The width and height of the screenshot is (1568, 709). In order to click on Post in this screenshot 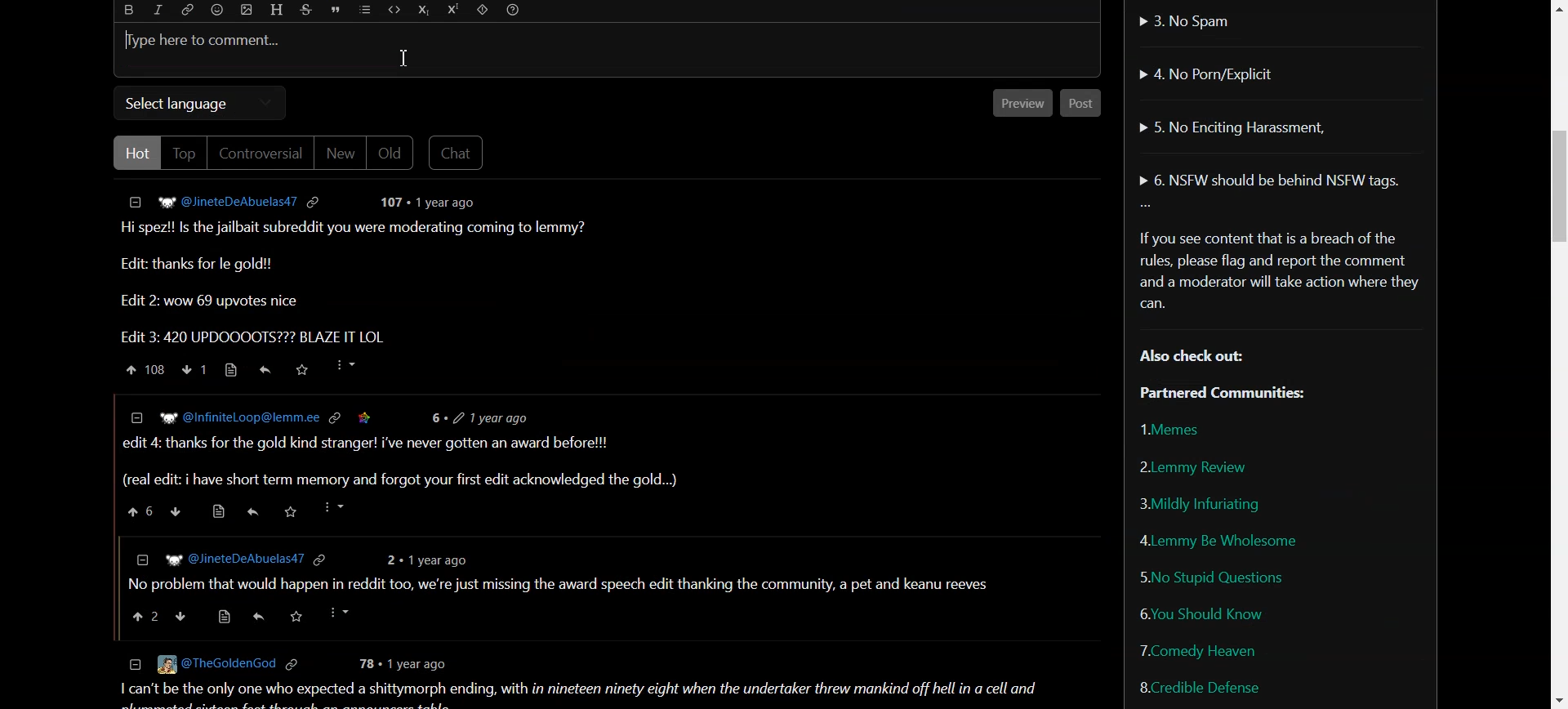, I will do `click(1082, 103)`.